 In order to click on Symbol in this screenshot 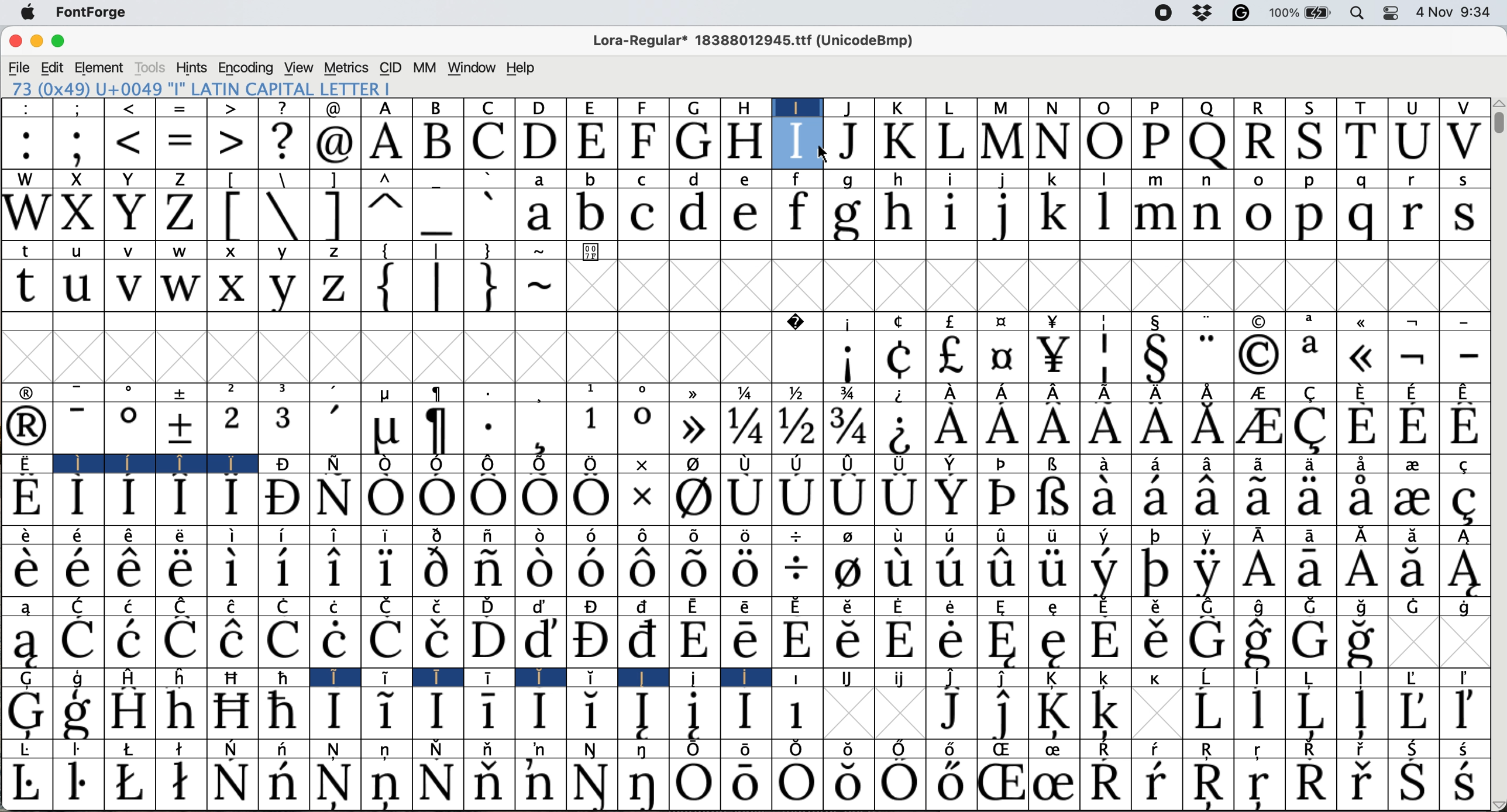, I will do `click(1415, 676)`.